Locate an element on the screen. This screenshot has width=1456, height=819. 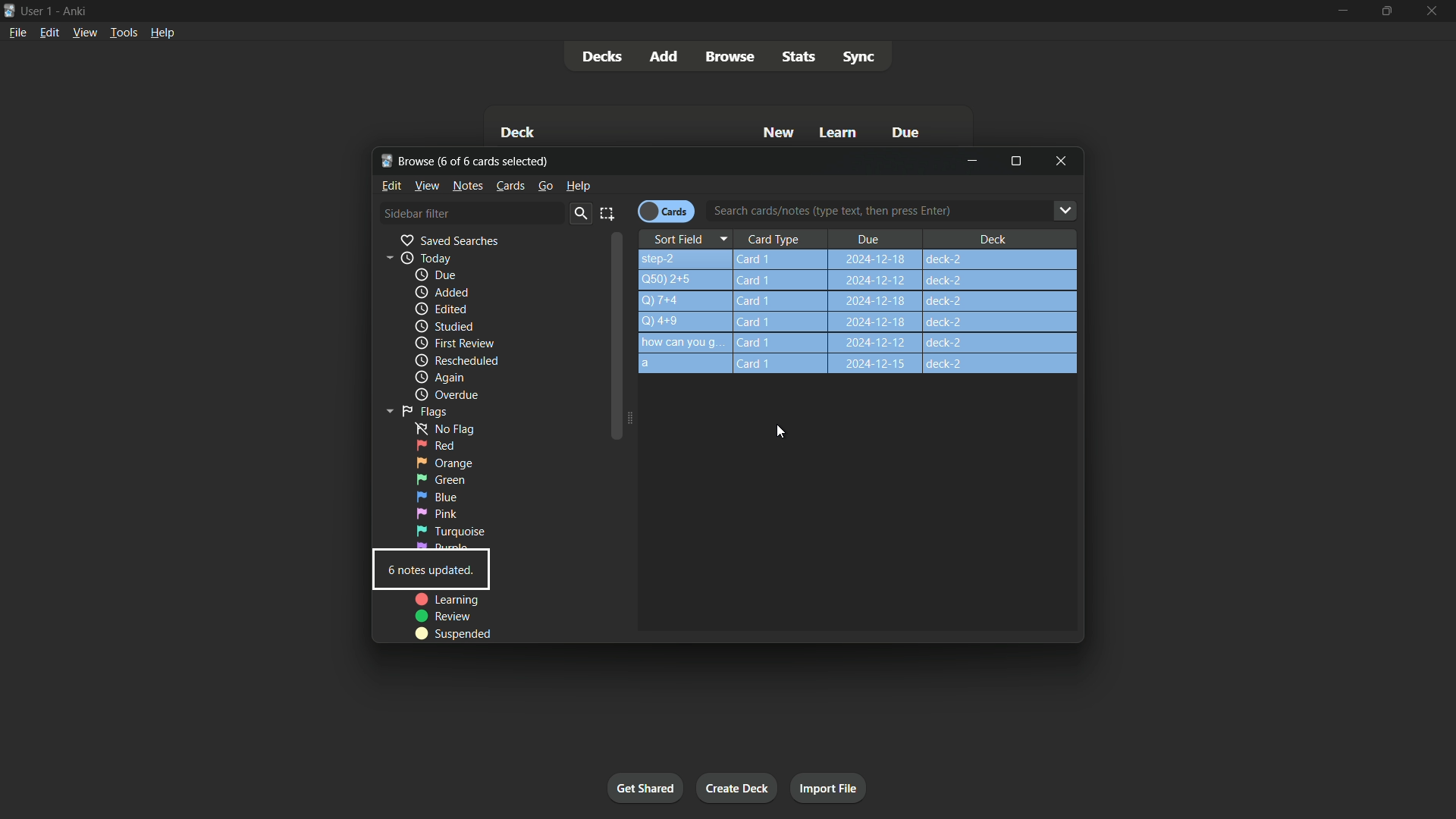
Deck is located at coordinates (519, 132).